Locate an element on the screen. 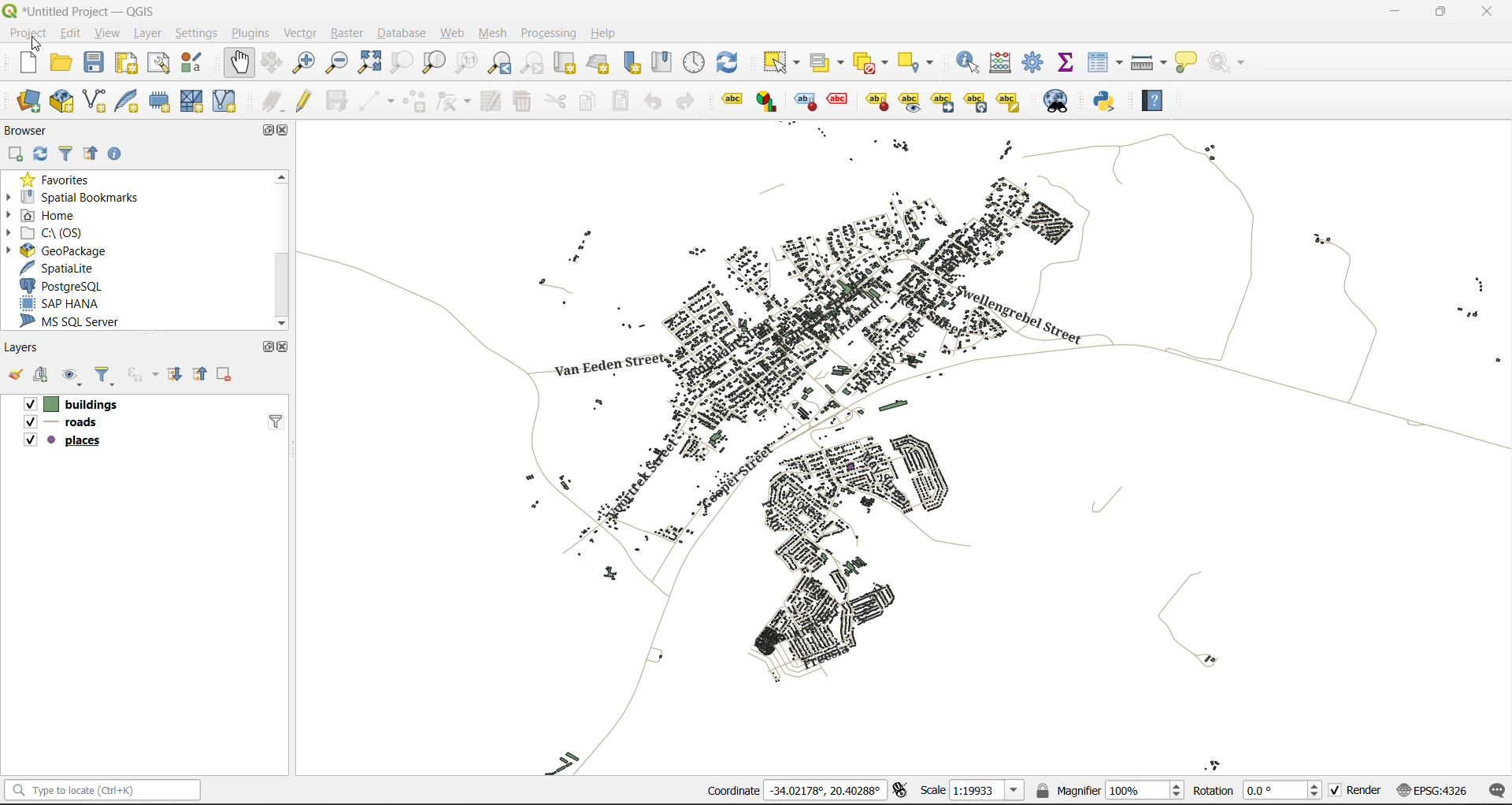 This screenshot has height=805, width=1512. vertical scroll bar is located at coordinates (282, 247).